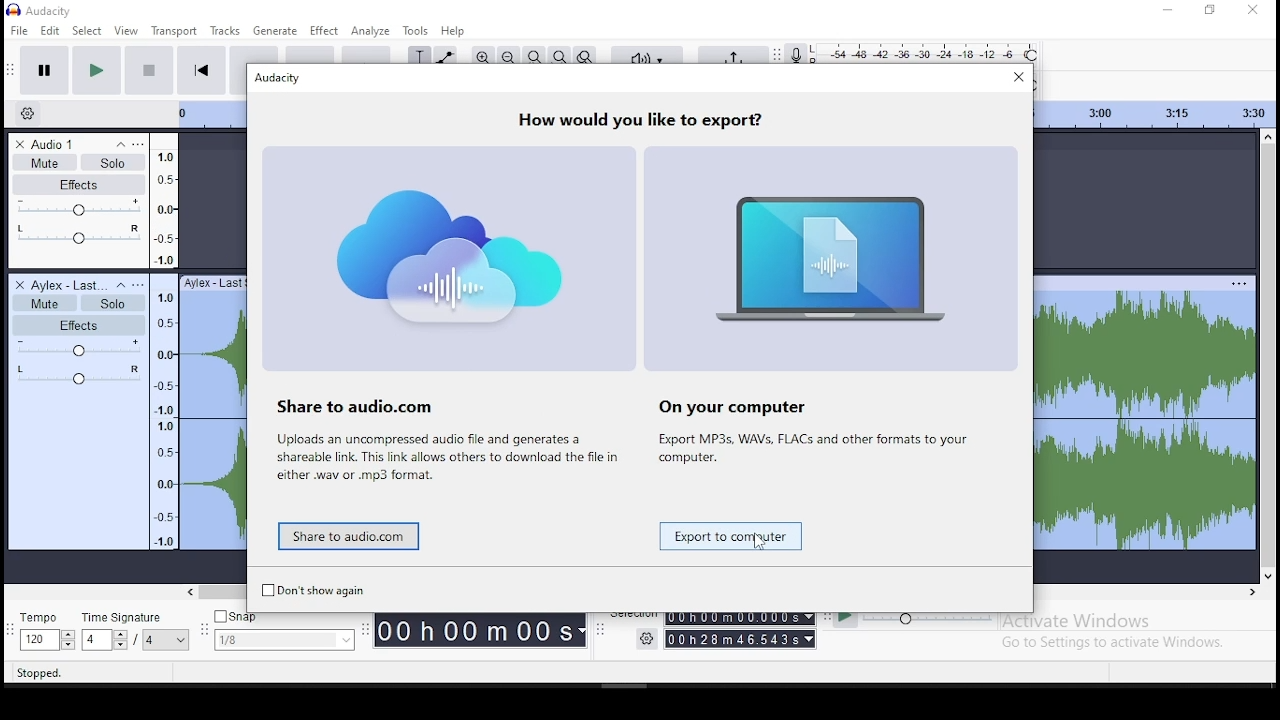 This screenshot has height=720, width=1280. What do you see at coordinates (647, 638) in the screenshot?
I see `settings` at bounding box center [647, 638].